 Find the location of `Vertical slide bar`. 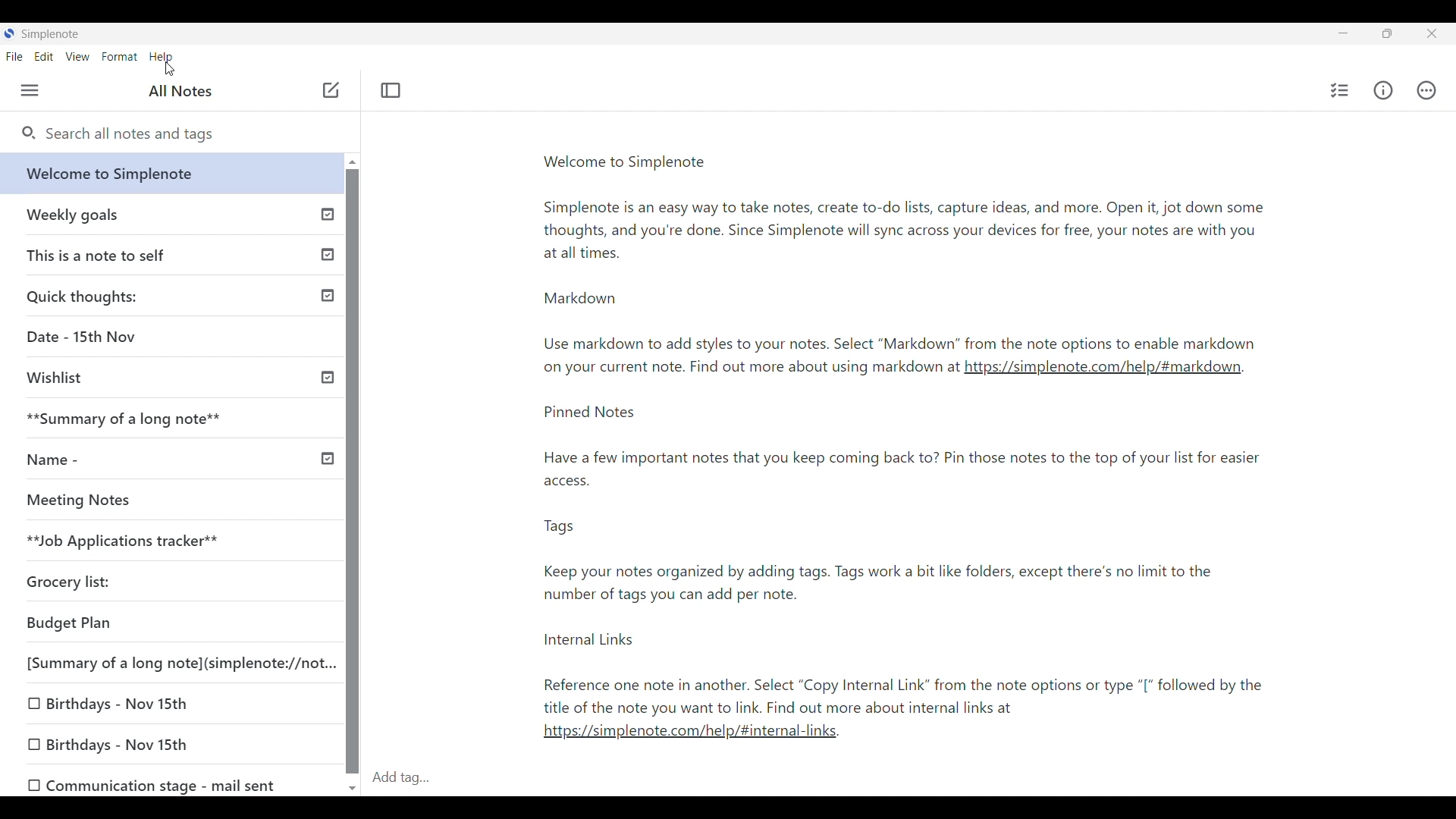

Vertical slide bar is located at coordinates (353, 471).